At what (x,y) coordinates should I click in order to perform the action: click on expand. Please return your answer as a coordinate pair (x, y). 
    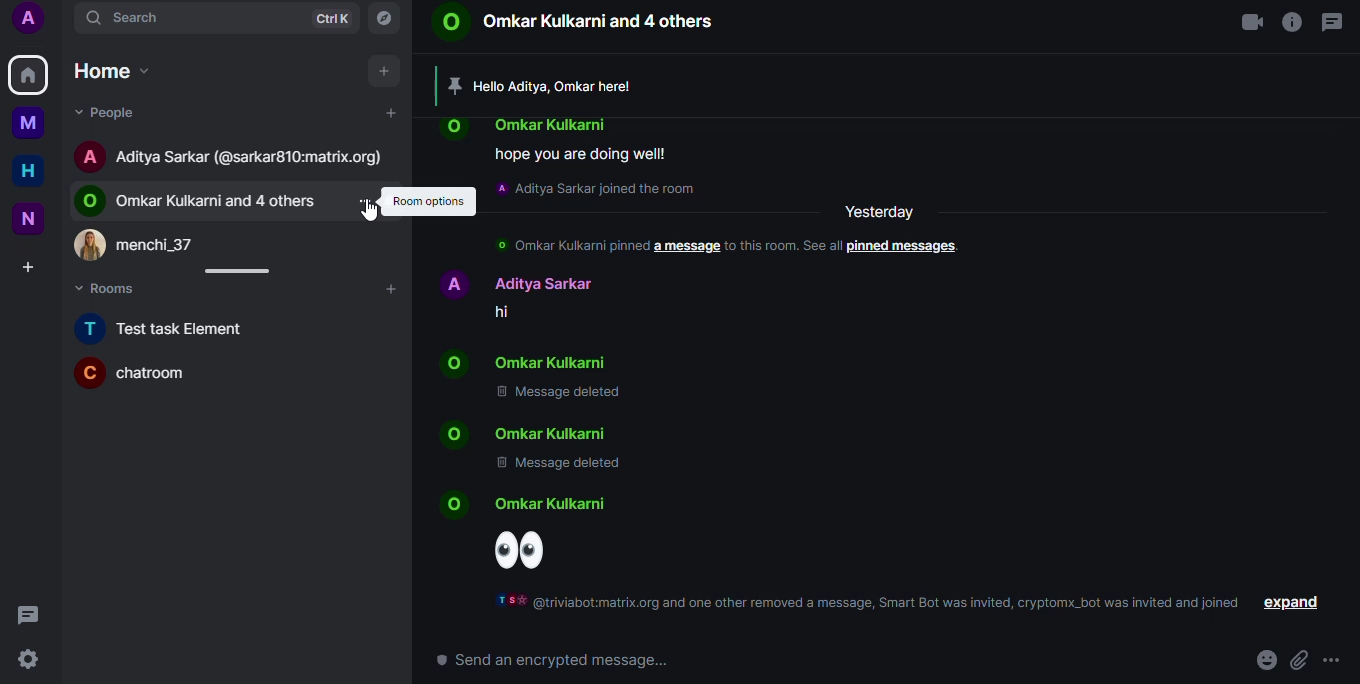
    Looking at the image, I should click on (1287, 603).